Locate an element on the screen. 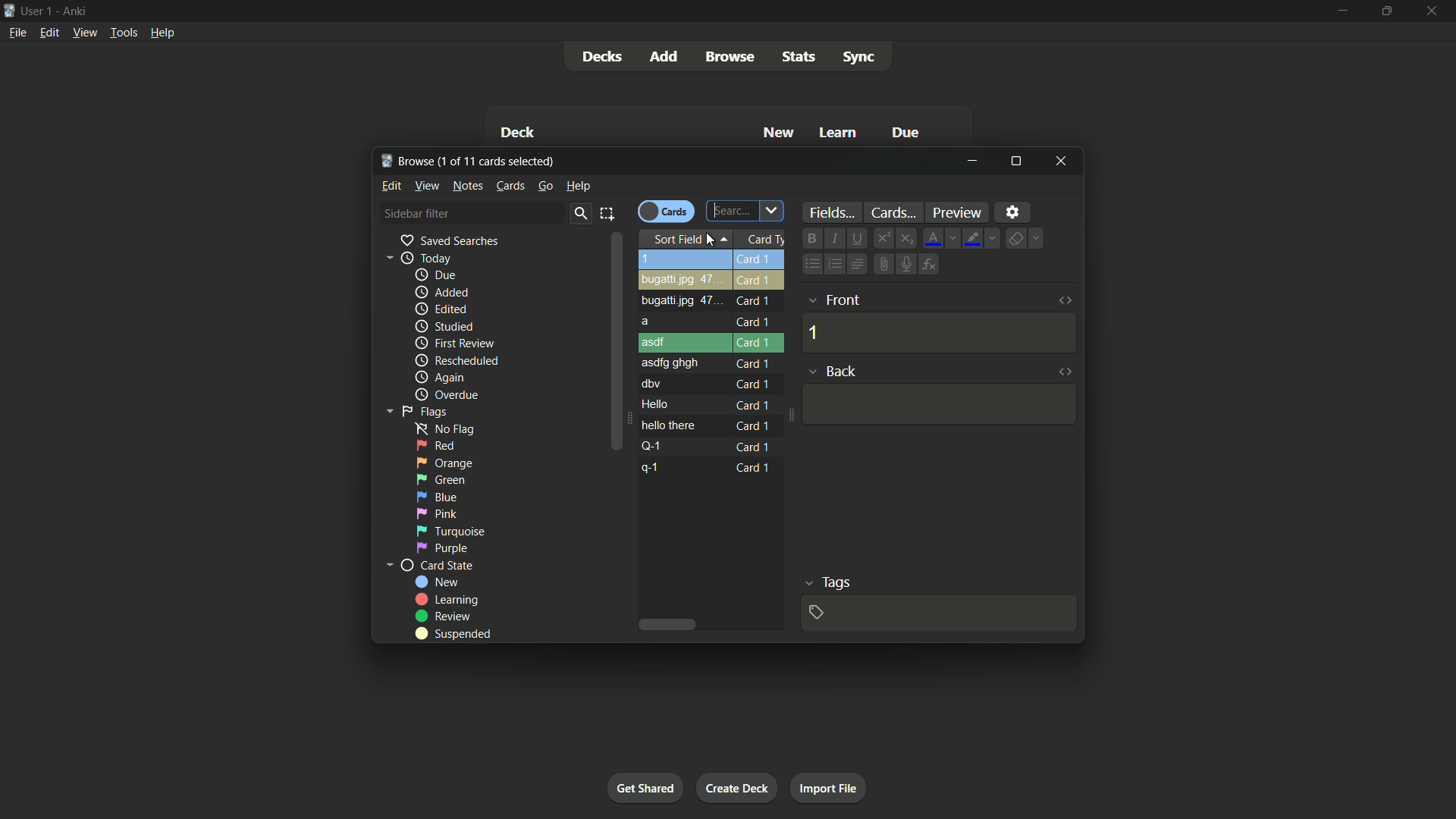  no flag is located at coordinates (449, 430).